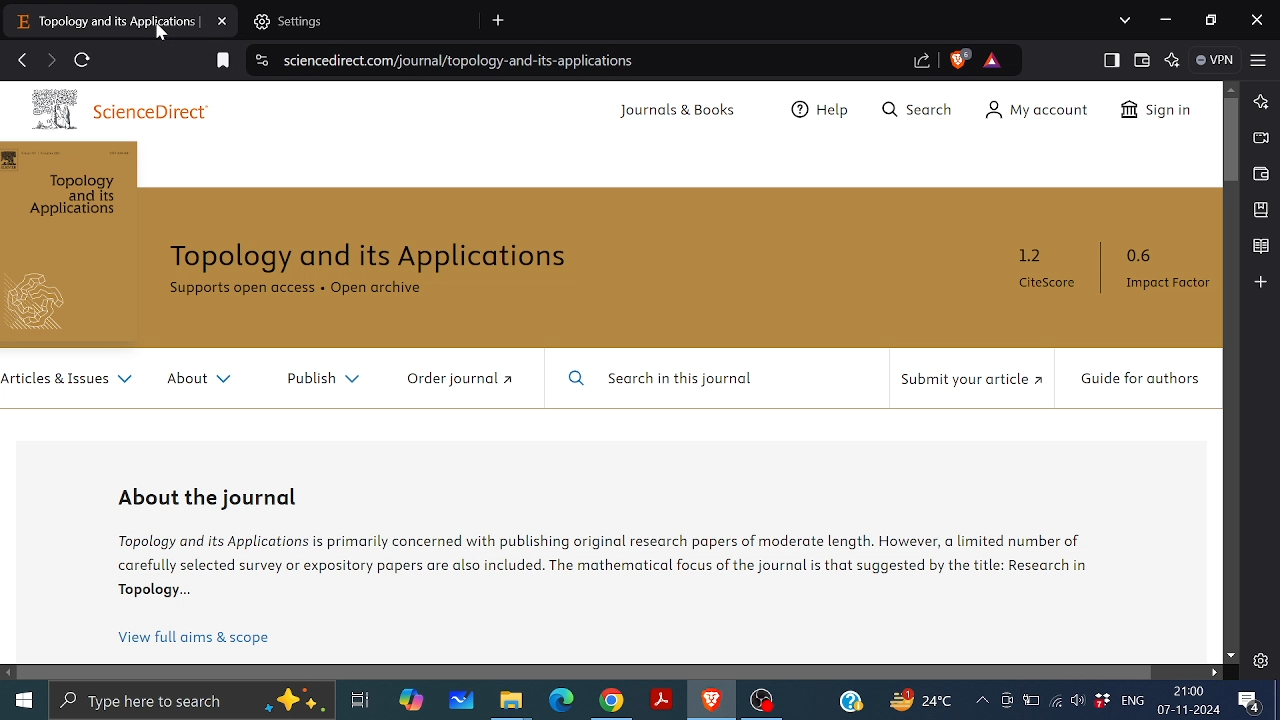 The width and height of the screenshot is (1280, 720). Describe the element at coordinates (224, 21) in the screenshot. I see `Close current tab` at that location.